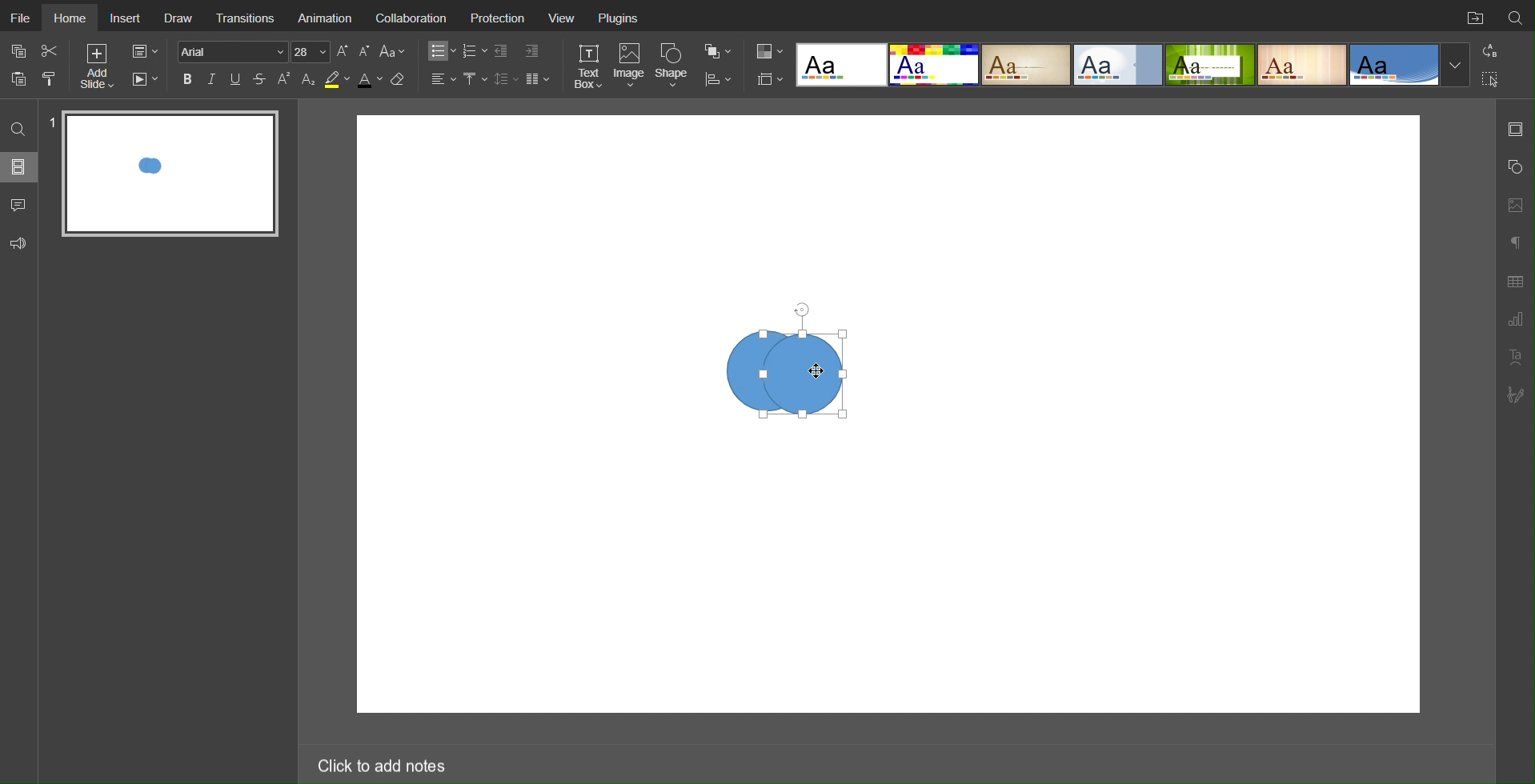 The height and width of the screenshot is (784, 1535). Describe the element at coordinates (22, 53) in the screenshot. I see `copy` at that location.